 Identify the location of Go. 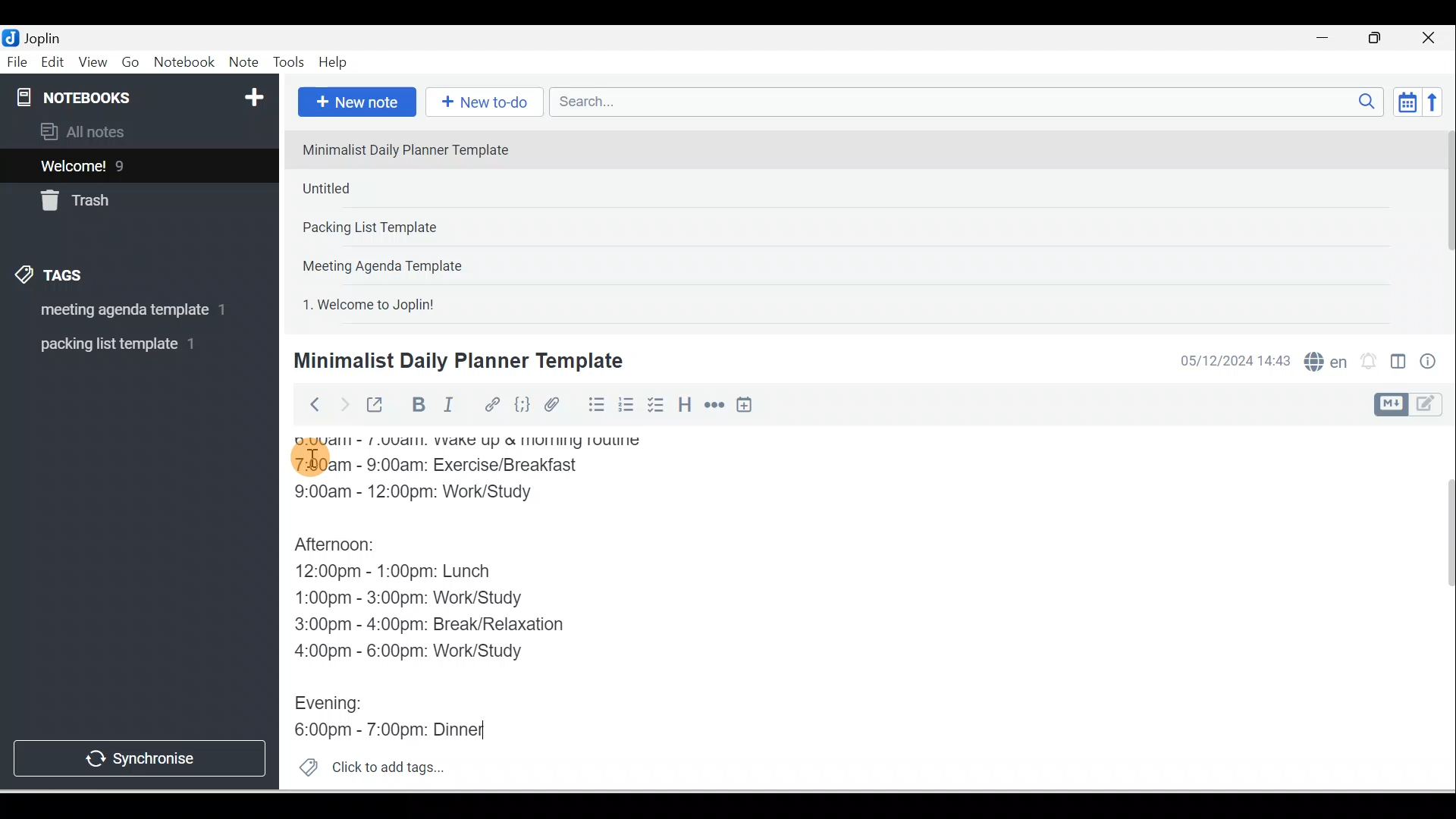
(133, 63).